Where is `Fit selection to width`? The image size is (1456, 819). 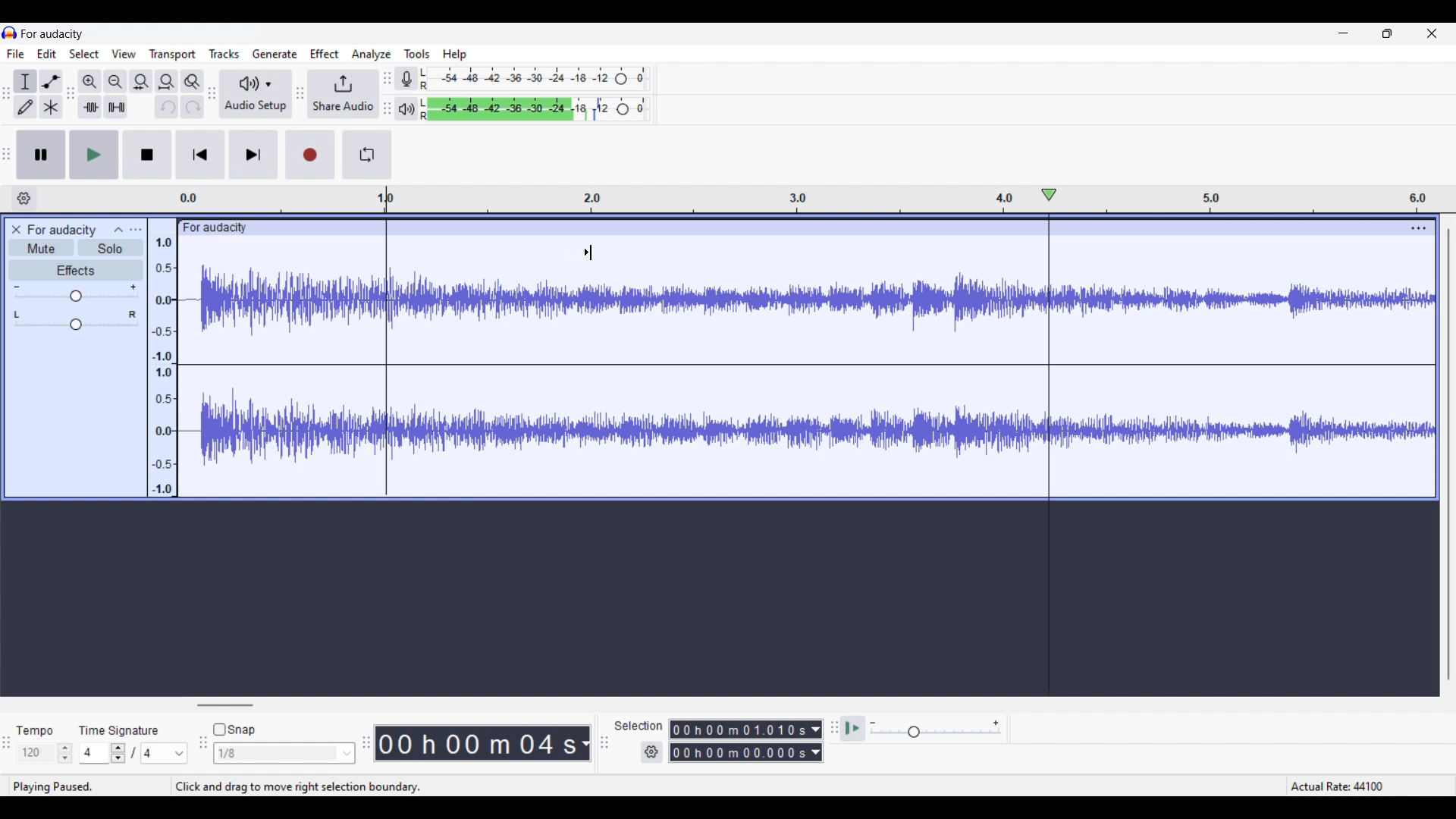
Fit selection to width is located at coordinates (142, 82).